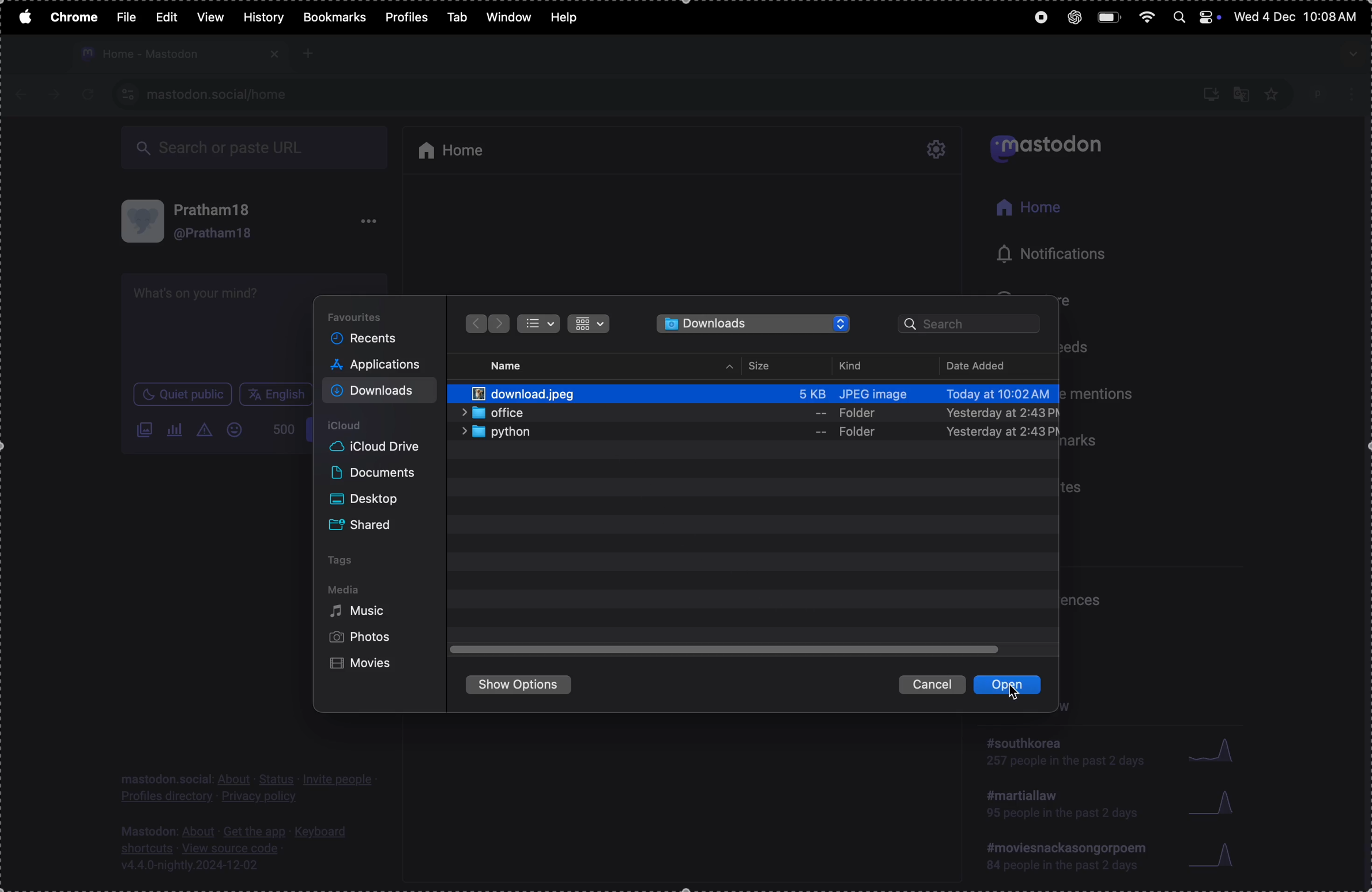 The width and height of the screenshot is (1372, 892). Describe the element at coordinates (1351, 54) in the screenshot. I see `dropdown` at that location.